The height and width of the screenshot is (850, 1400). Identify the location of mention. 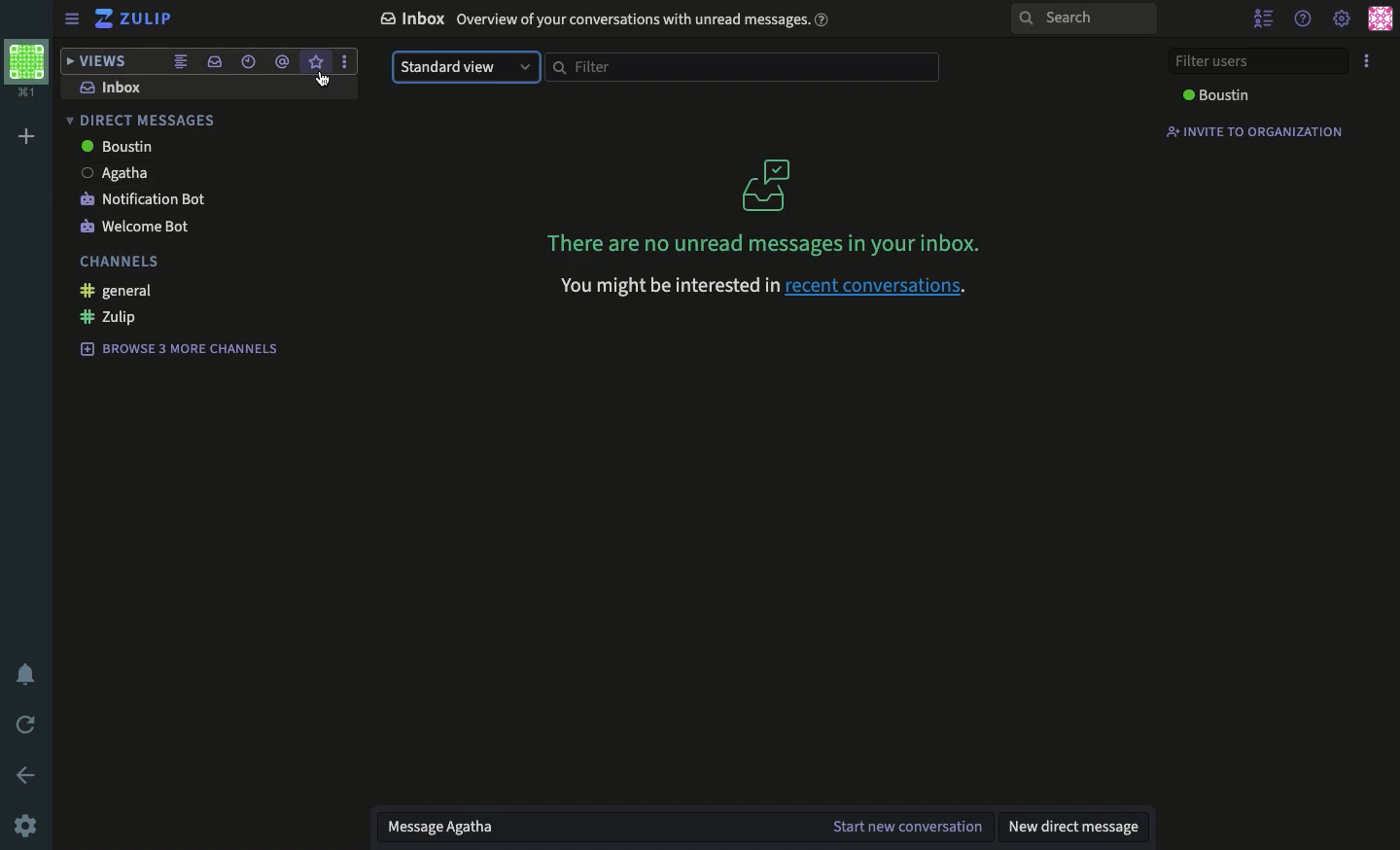
(284, 62).